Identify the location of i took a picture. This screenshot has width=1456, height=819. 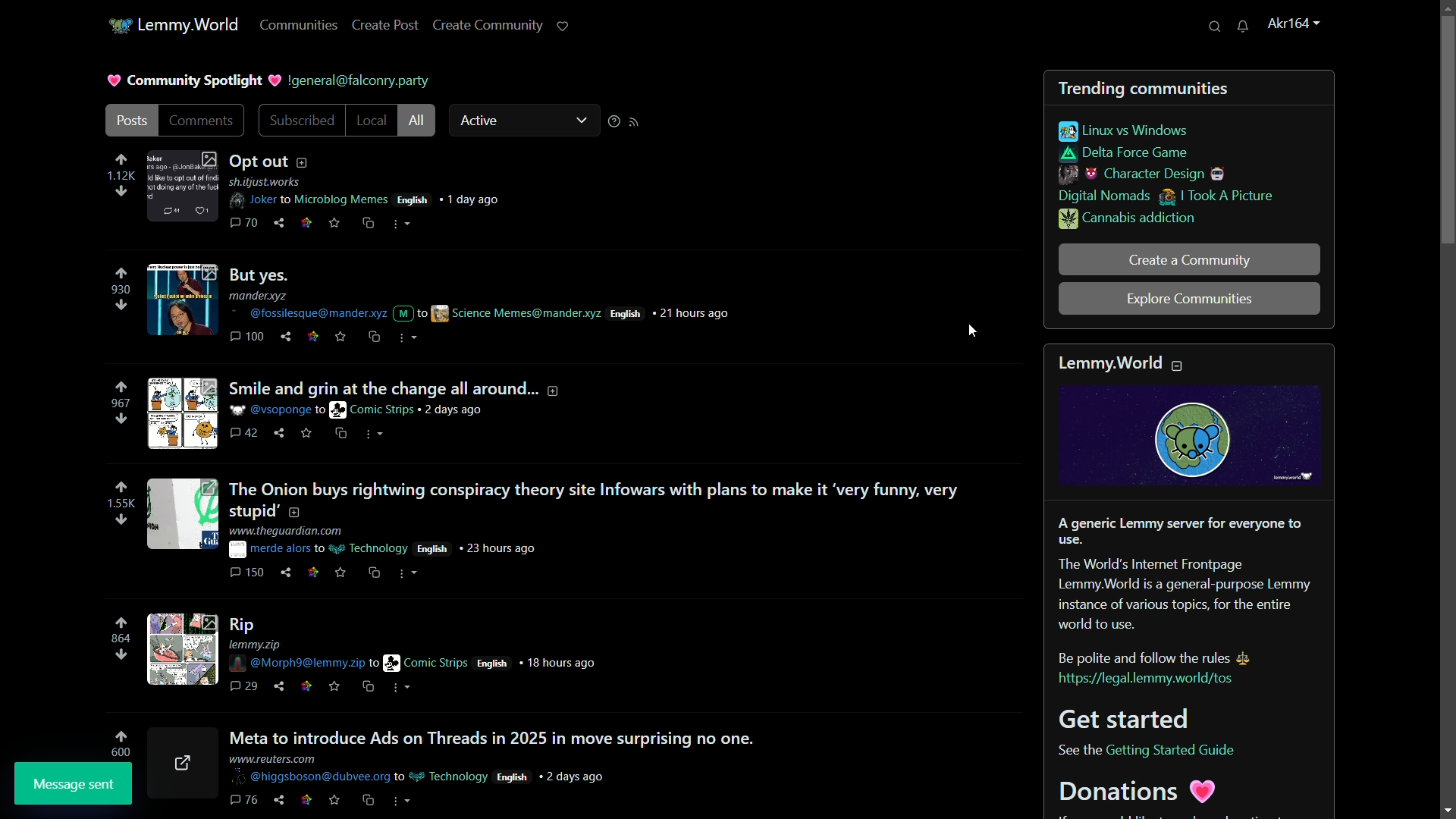
(1217, 197).